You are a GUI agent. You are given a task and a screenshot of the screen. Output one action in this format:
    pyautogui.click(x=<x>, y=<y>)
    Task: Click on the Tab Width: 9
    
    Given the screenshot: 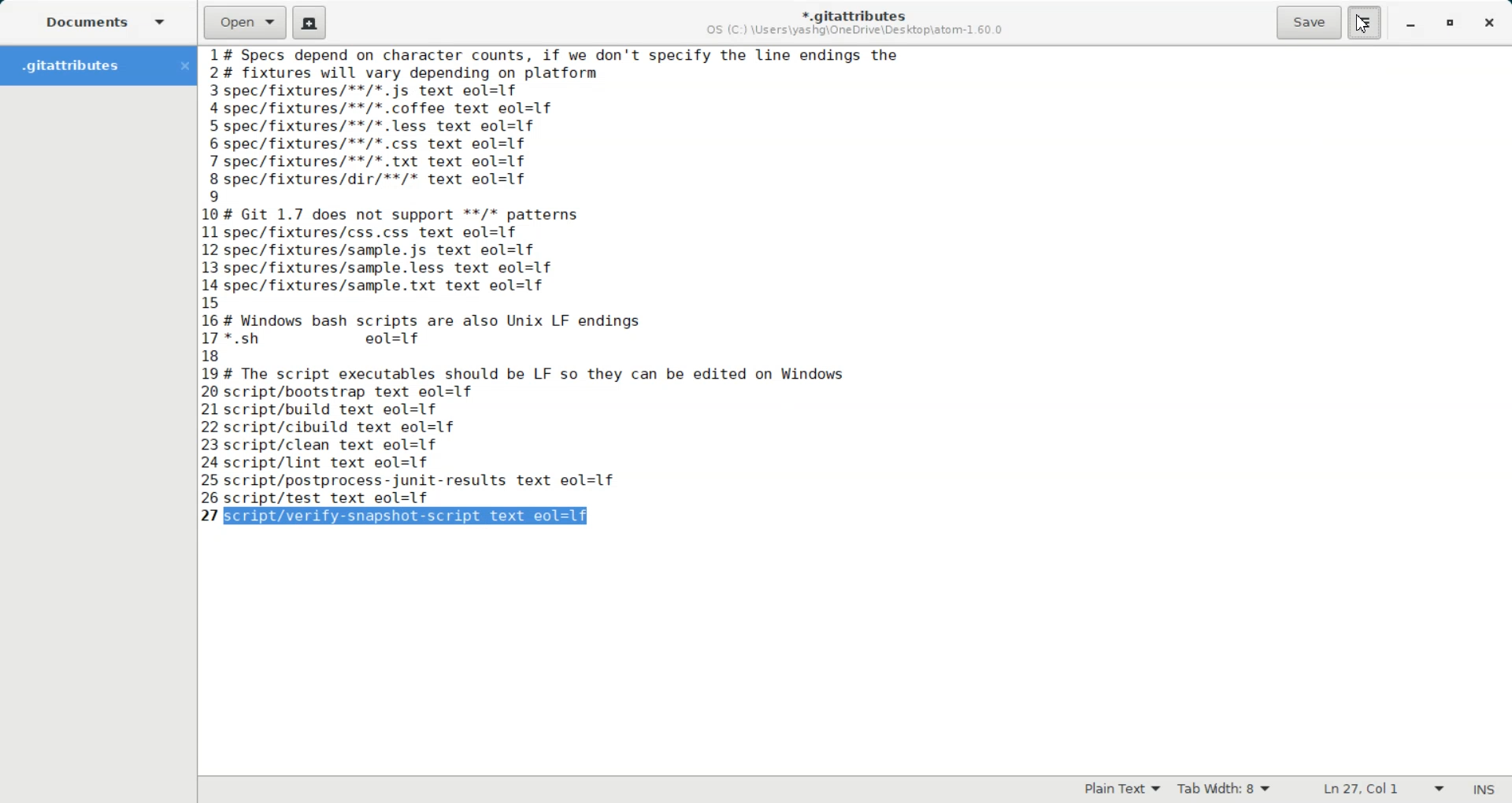 What is the action you would take?
    pyautogui.click(x=1225, y=790)
    